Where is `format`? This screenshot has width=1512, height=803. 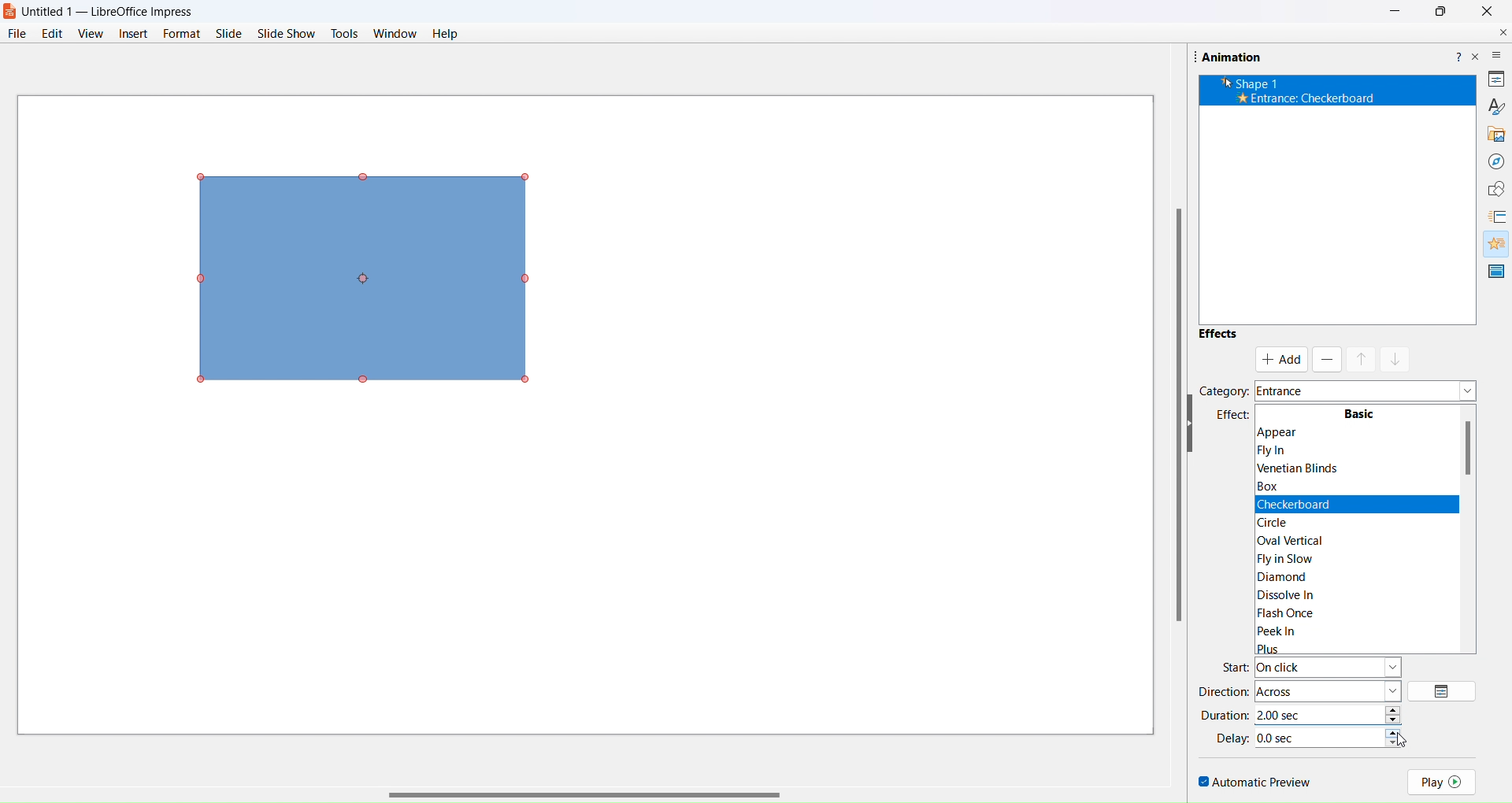 format is located at coordinates (180, 32).